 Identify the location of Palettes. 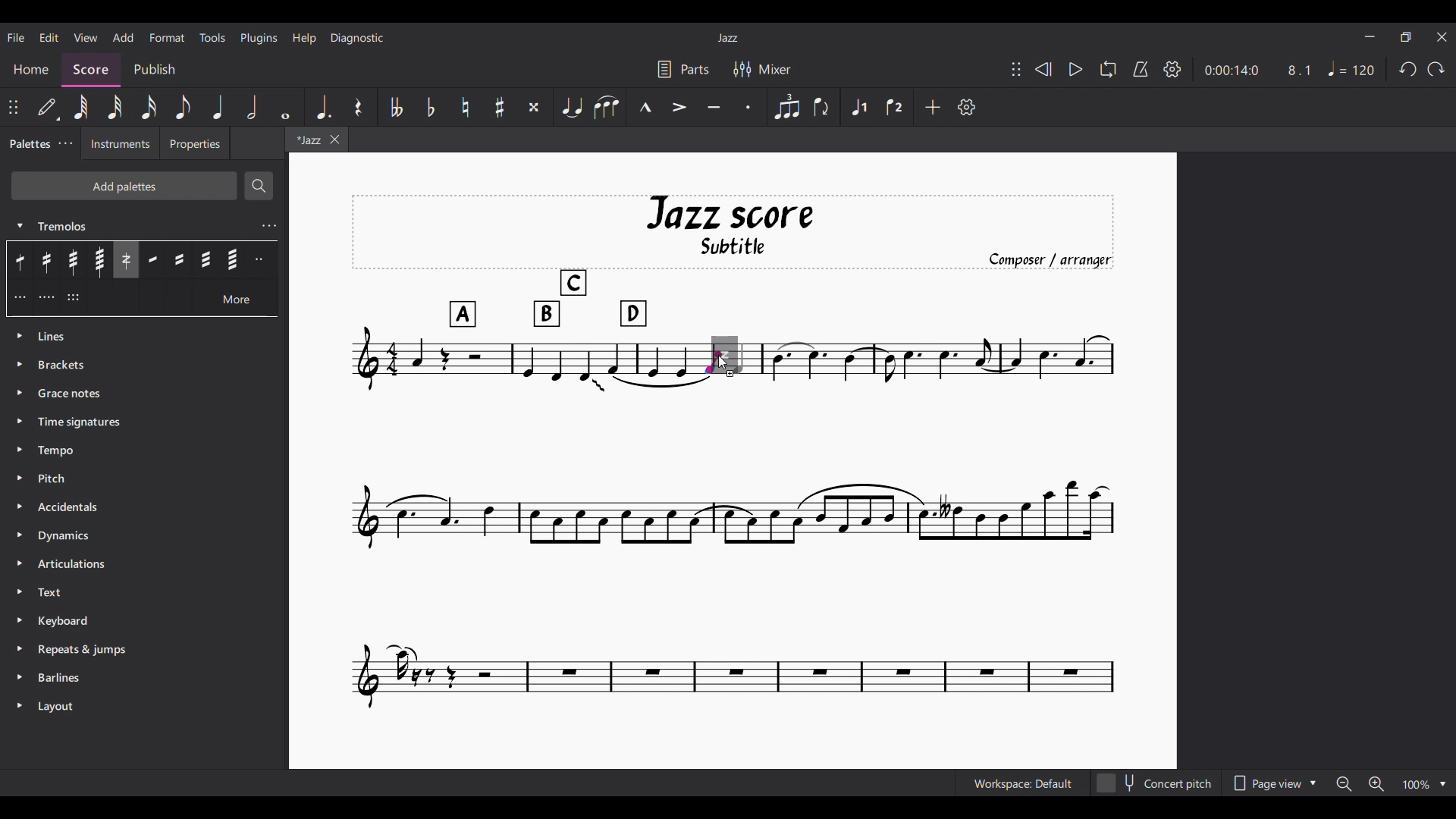
(28, 143).